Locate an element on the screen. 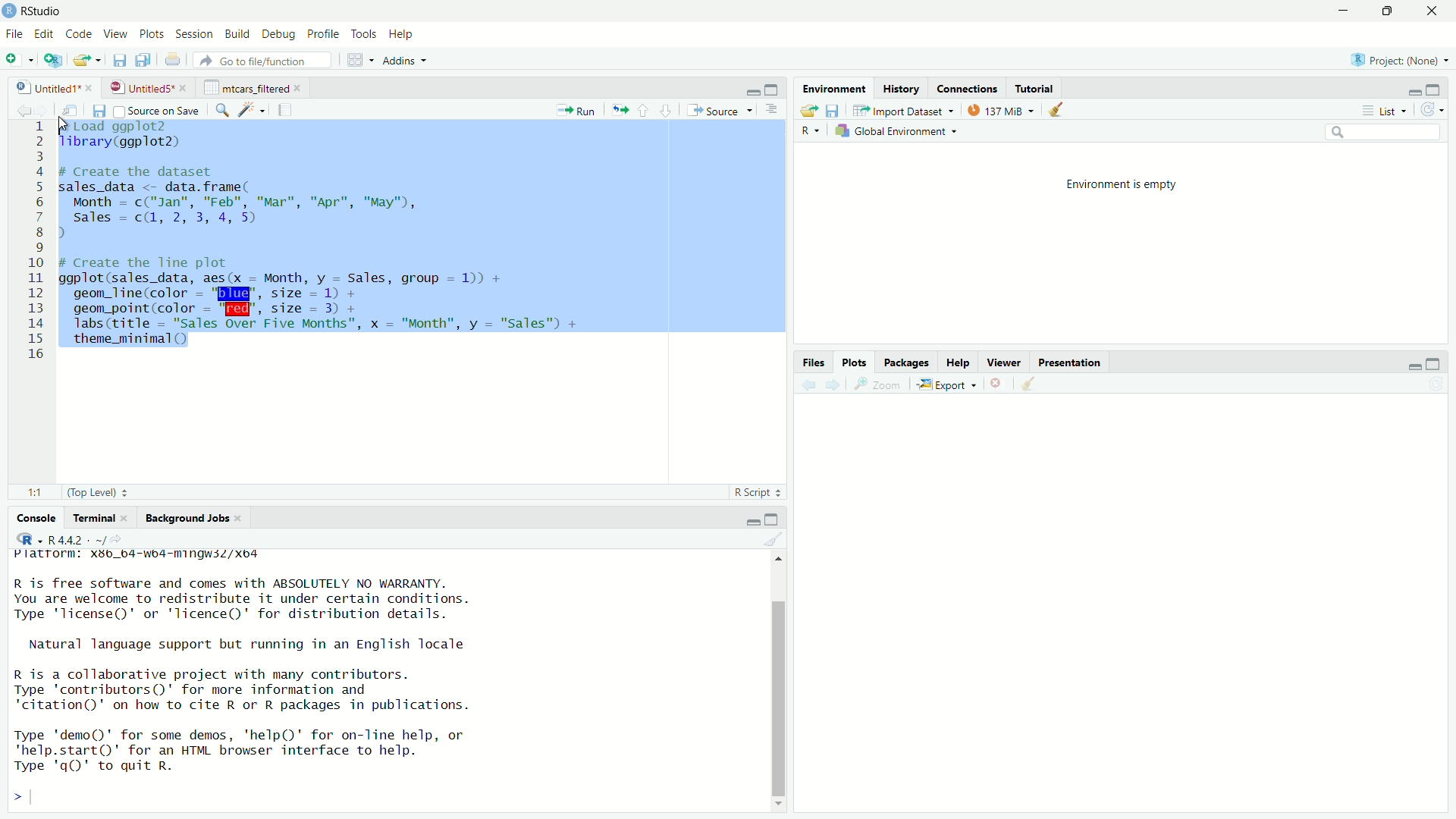  global environment is located at coordinates (893, 132).